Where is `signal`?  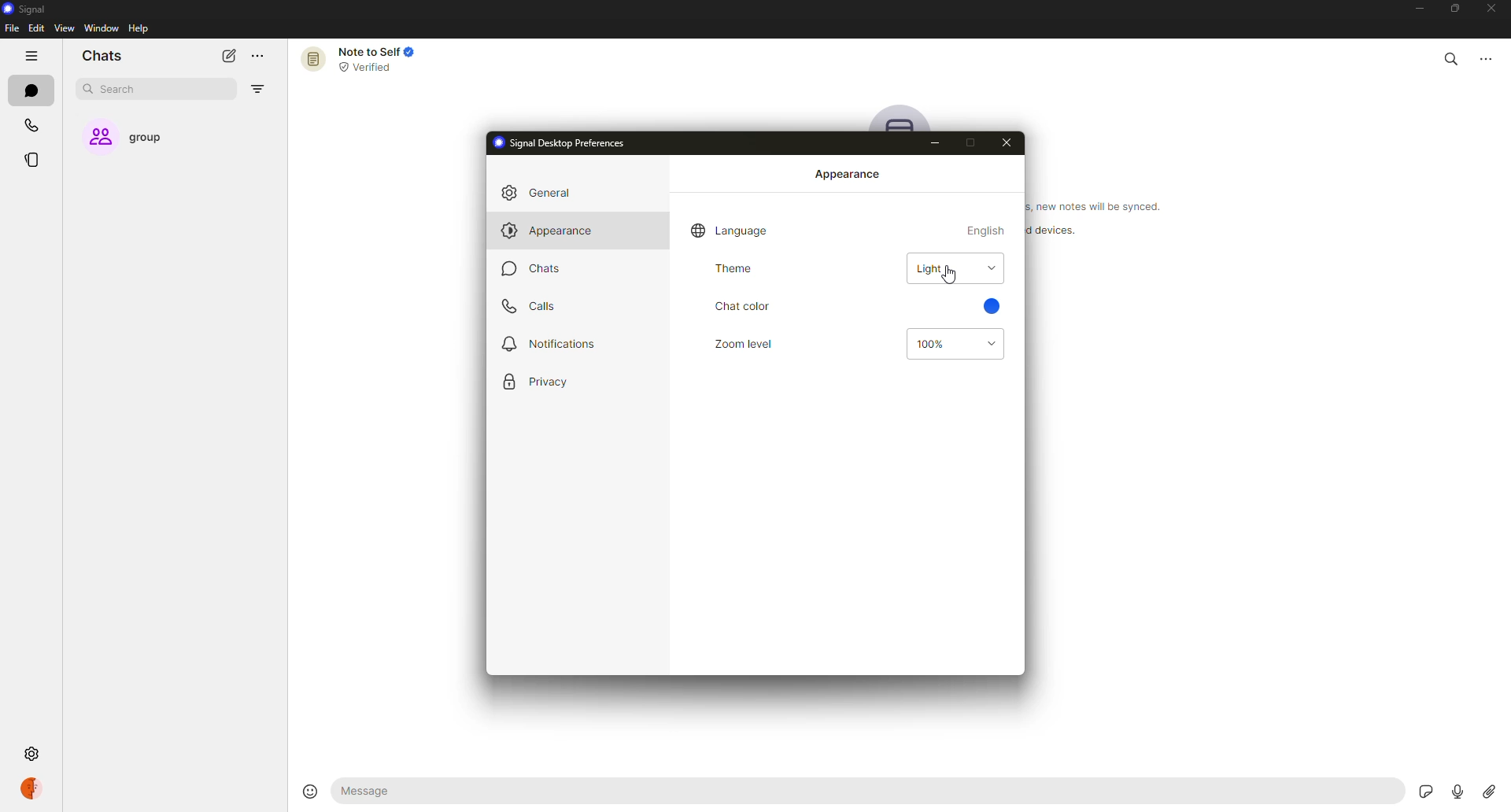 signal is located at coordinates (24, 10).